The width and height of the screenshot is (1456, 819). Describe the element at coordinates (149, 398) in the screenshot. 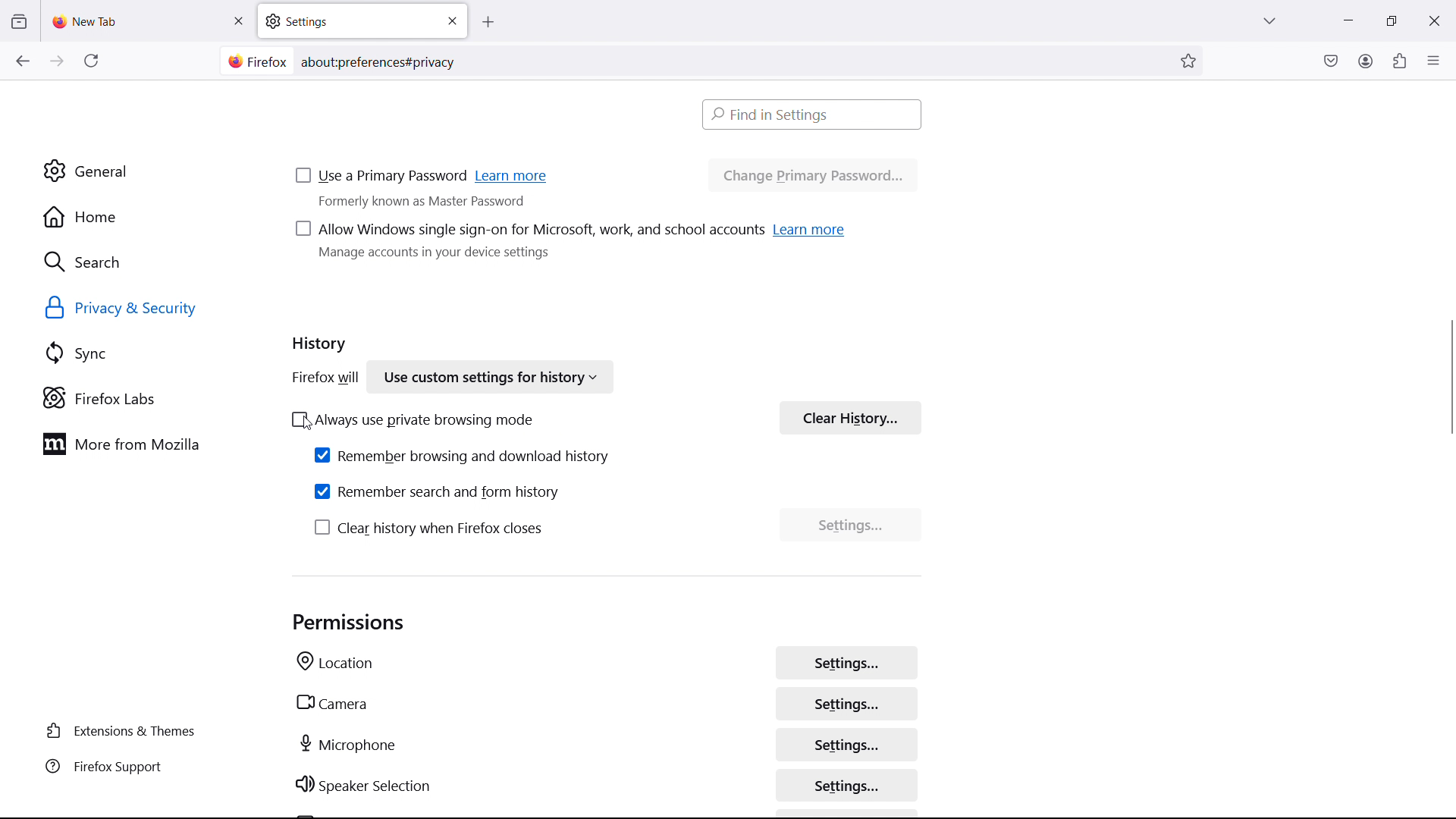

I see `firefox labs` at that location.